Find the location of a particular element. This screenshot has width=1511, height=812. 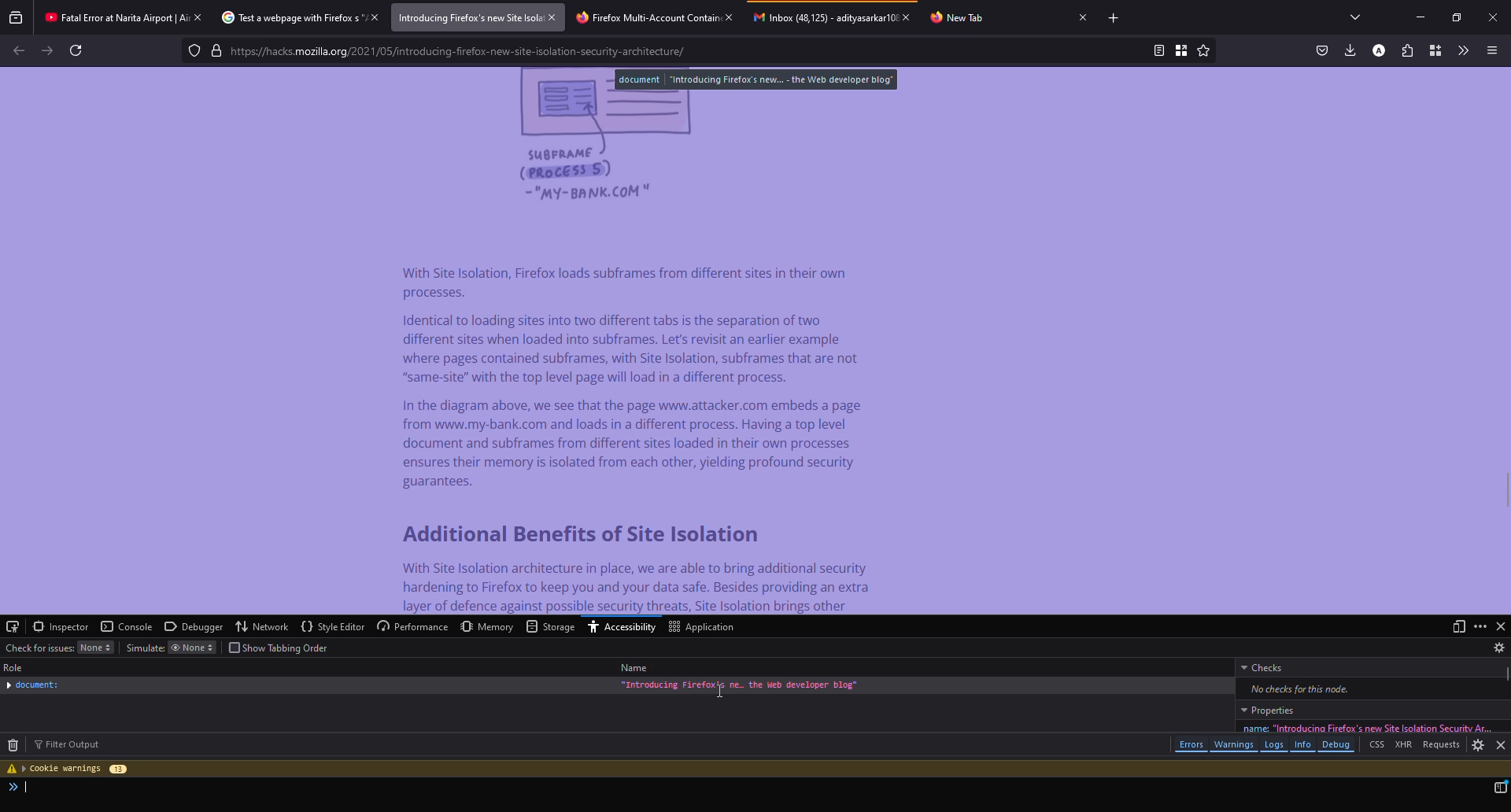

Introducing Firefox's new Site Isola is located at coordinates (467, 18).